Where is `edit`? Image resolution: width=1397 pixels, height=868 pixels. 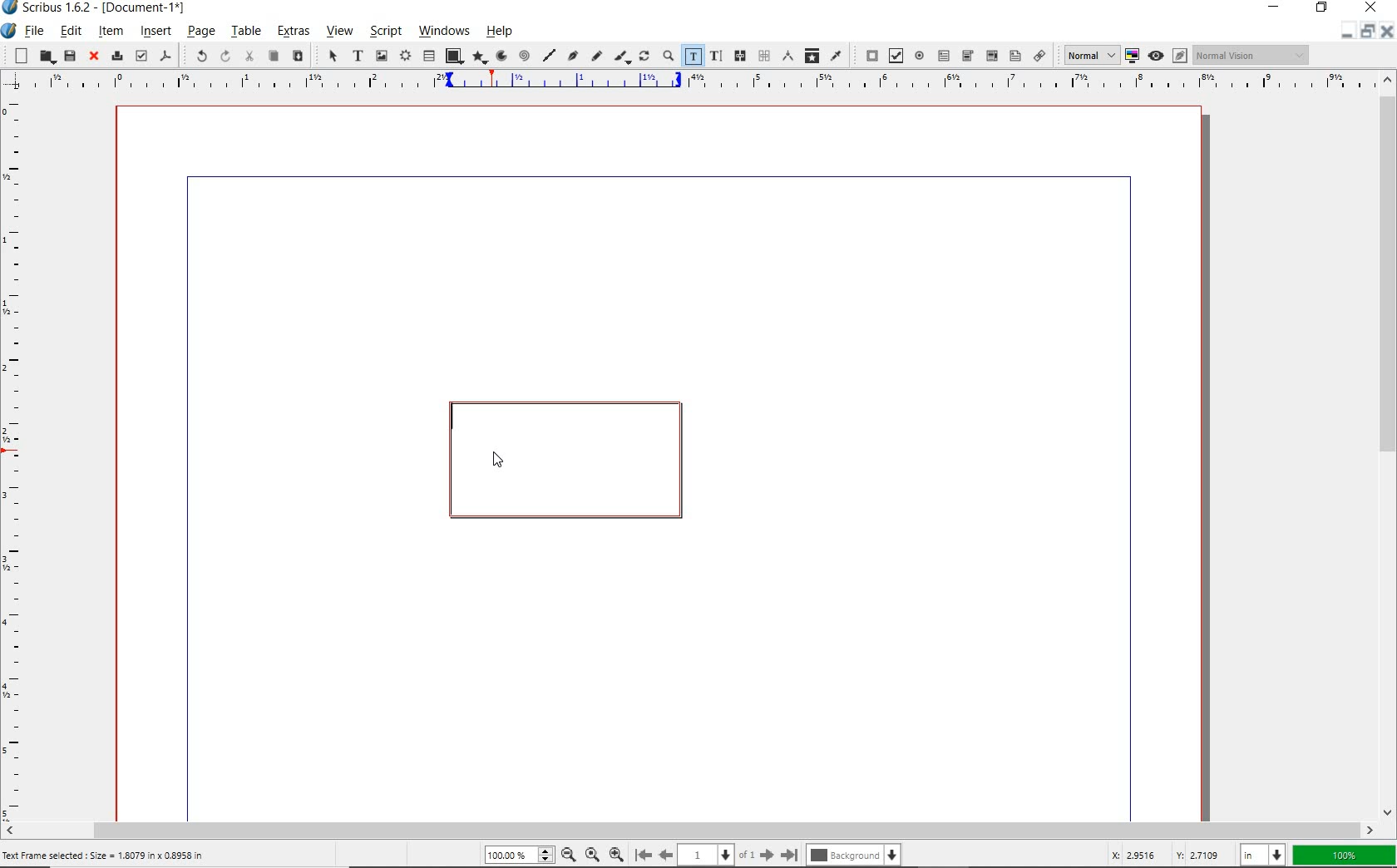
edit is located at coordinates (69, 32).